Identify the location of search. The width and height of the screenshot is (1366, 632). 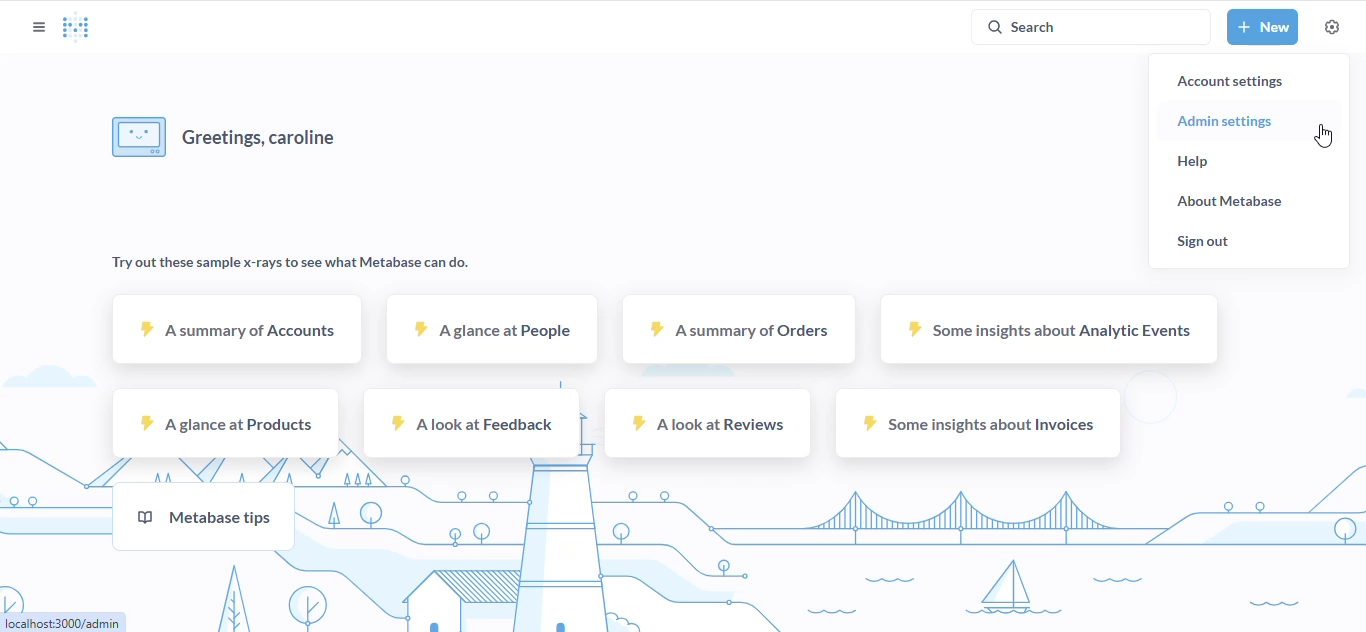
(1091, 27).